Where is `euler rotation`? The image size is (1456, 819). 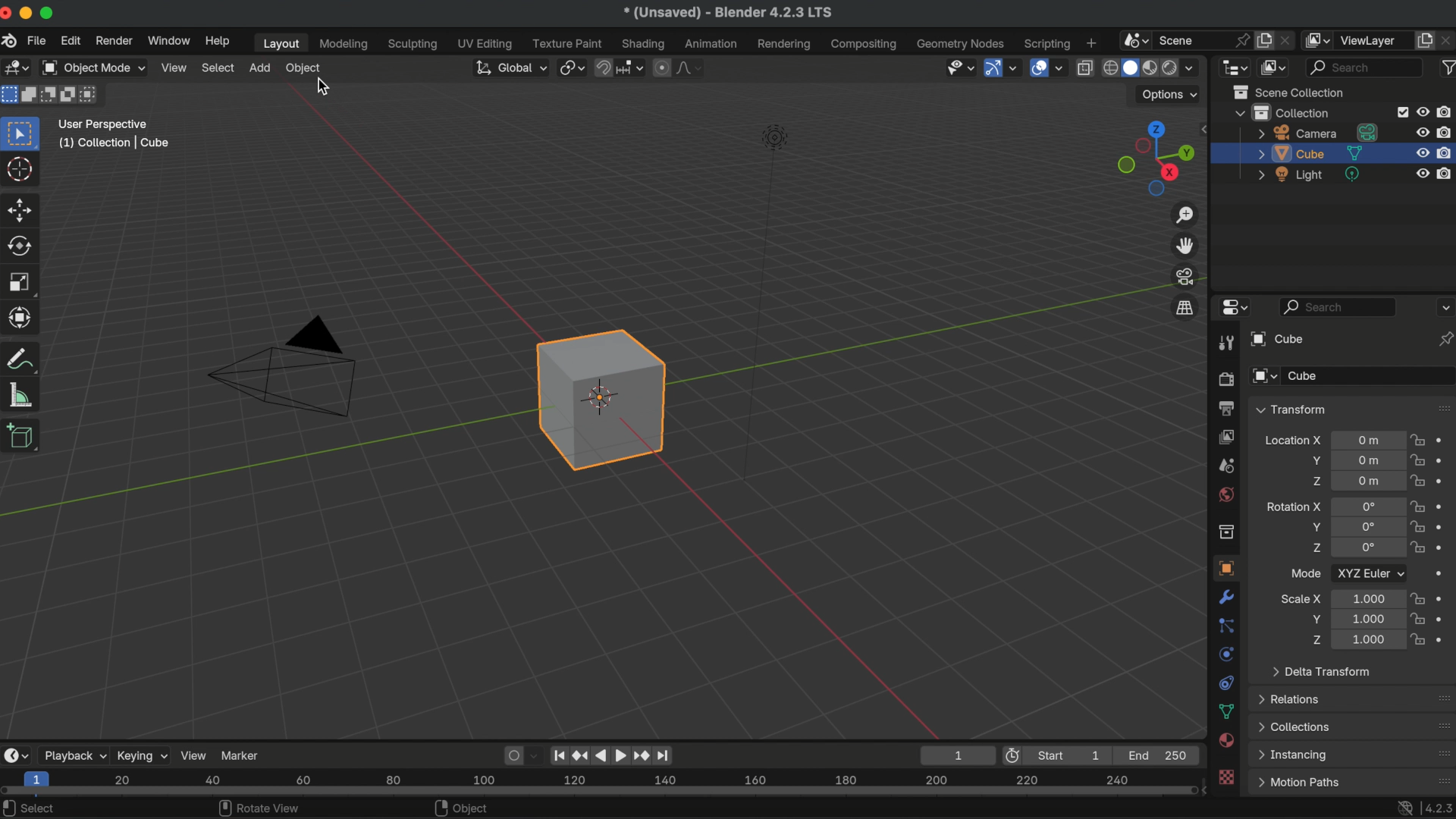
euler rotation is located at coordinates (1368, 527).